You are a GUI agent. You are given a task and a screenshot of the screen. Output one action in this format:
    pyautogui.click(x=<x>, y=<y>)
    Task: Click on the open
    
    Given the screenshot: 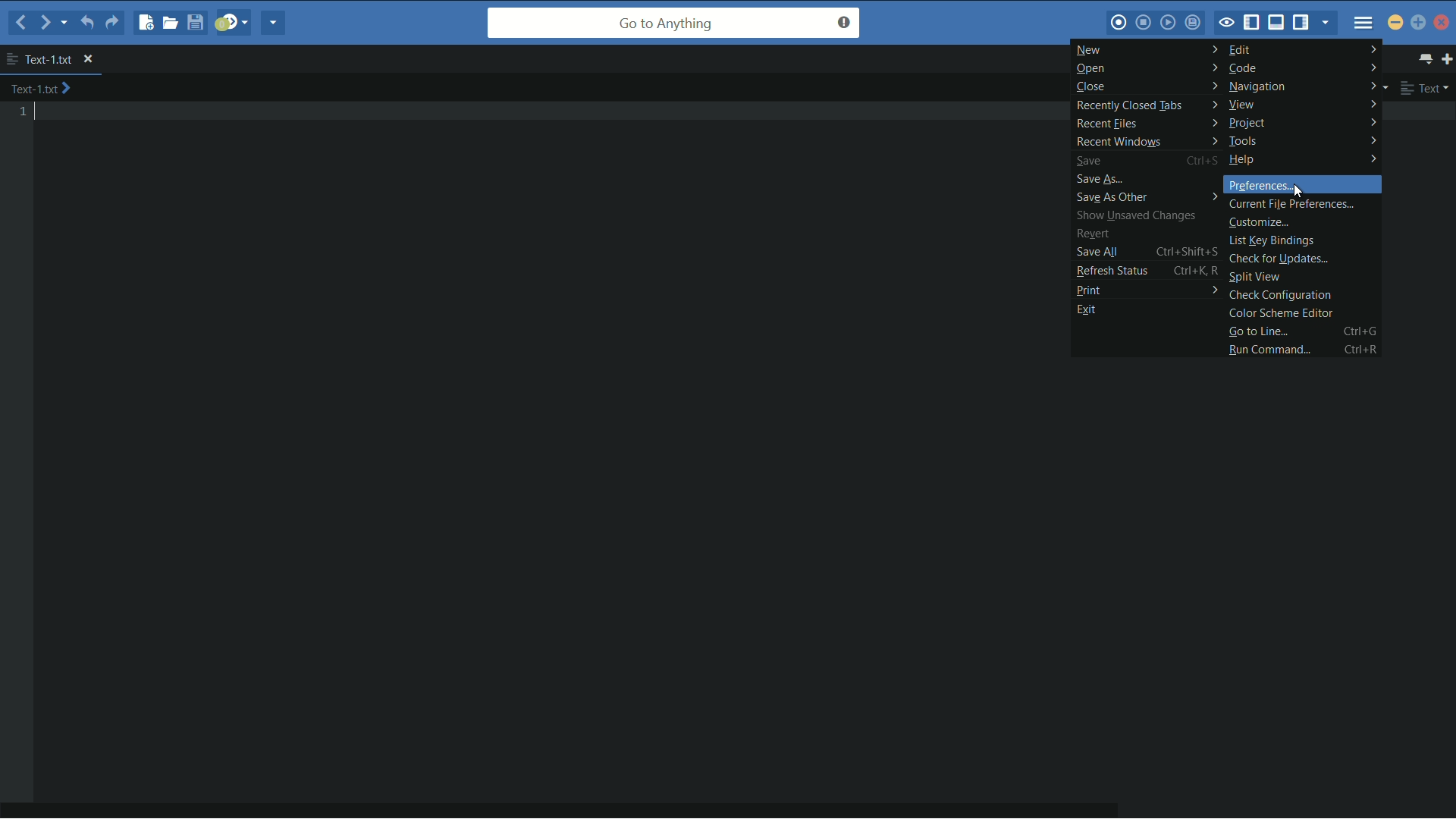 What is the action you would take?
    pyautogui.click(x=1144, y=68)
    